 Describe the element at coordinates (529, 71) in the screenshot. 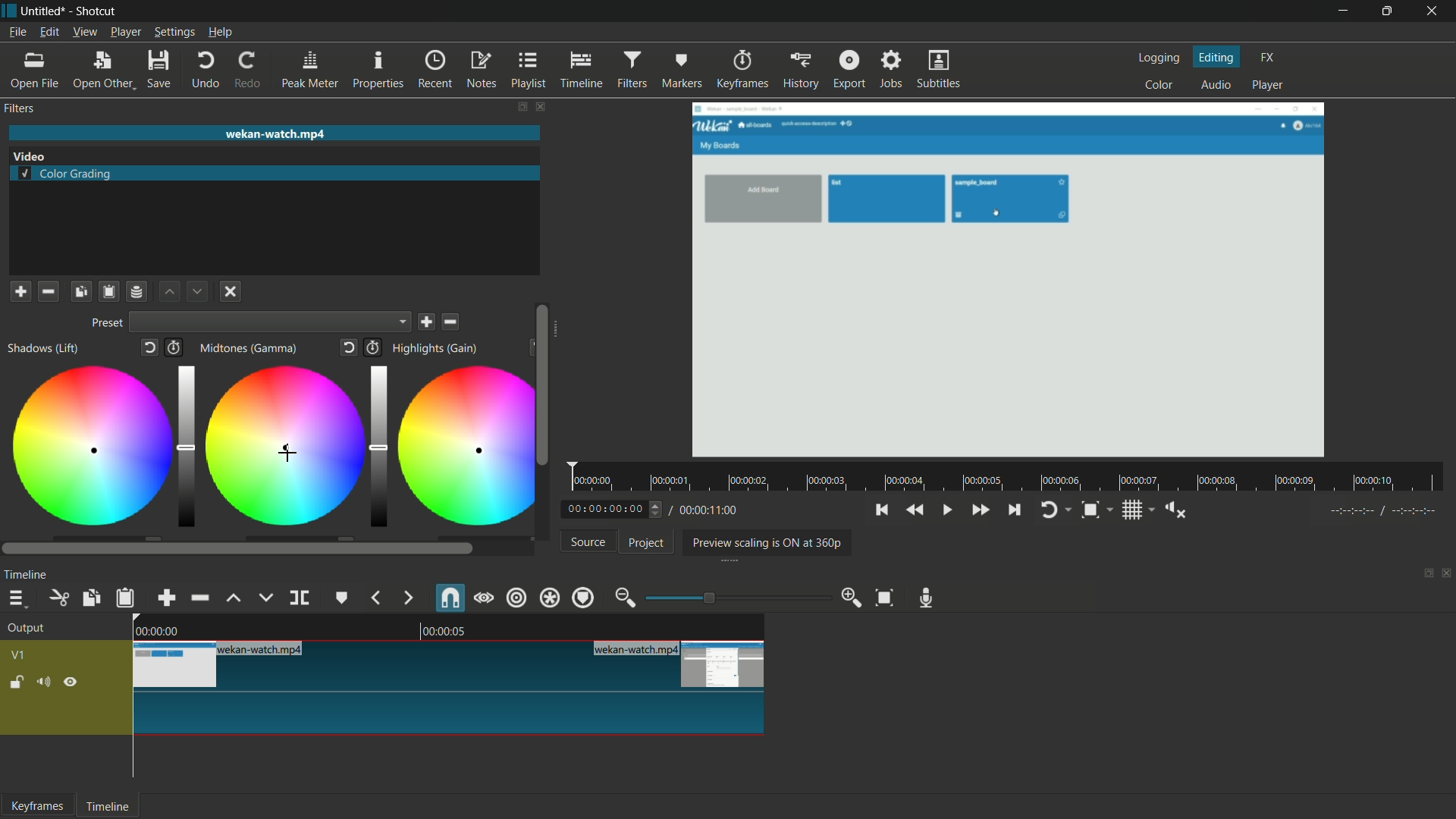

I see `playlist` at that location.